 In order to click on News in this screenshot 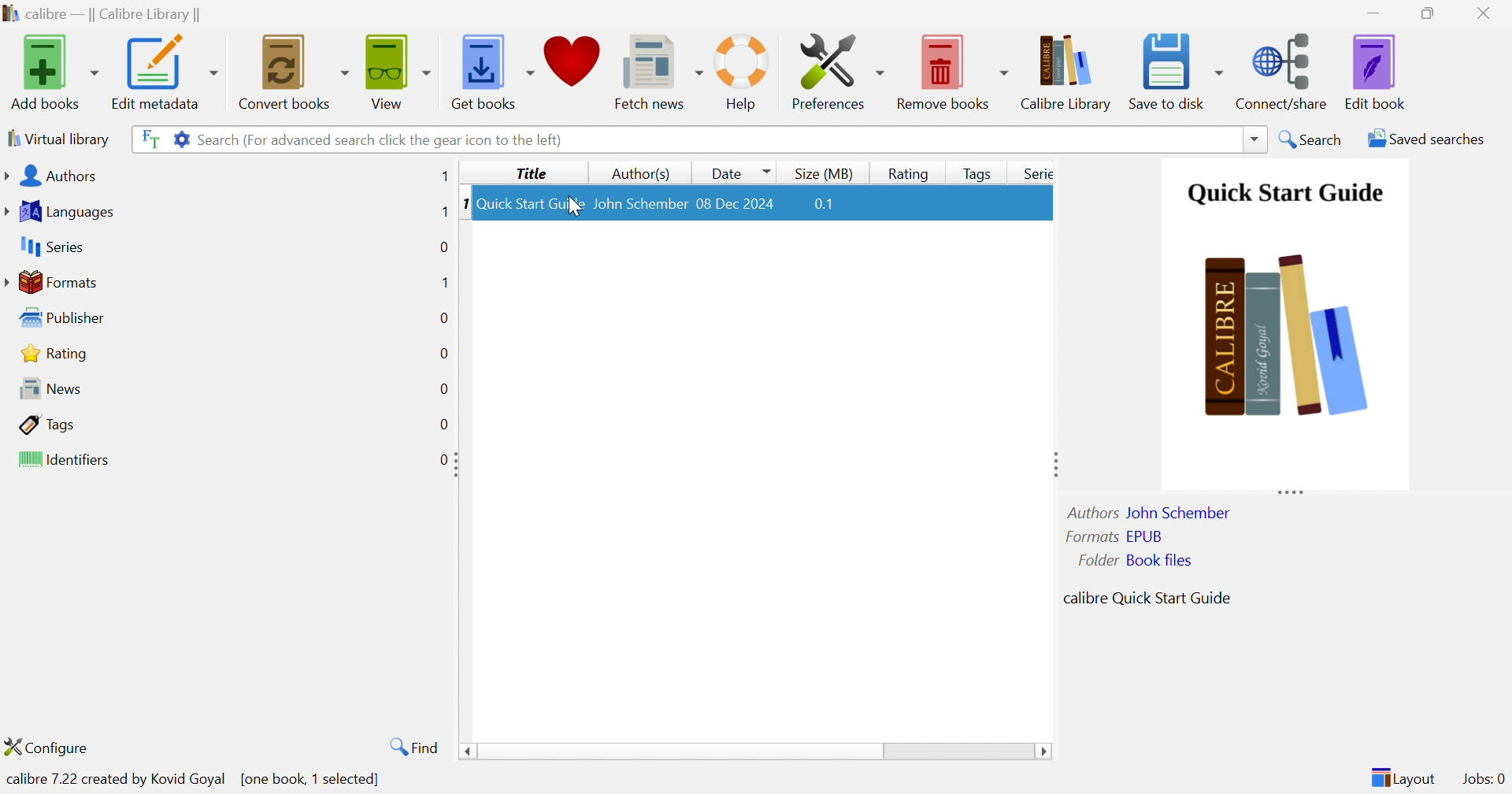, I will do `click(45, 387)`.